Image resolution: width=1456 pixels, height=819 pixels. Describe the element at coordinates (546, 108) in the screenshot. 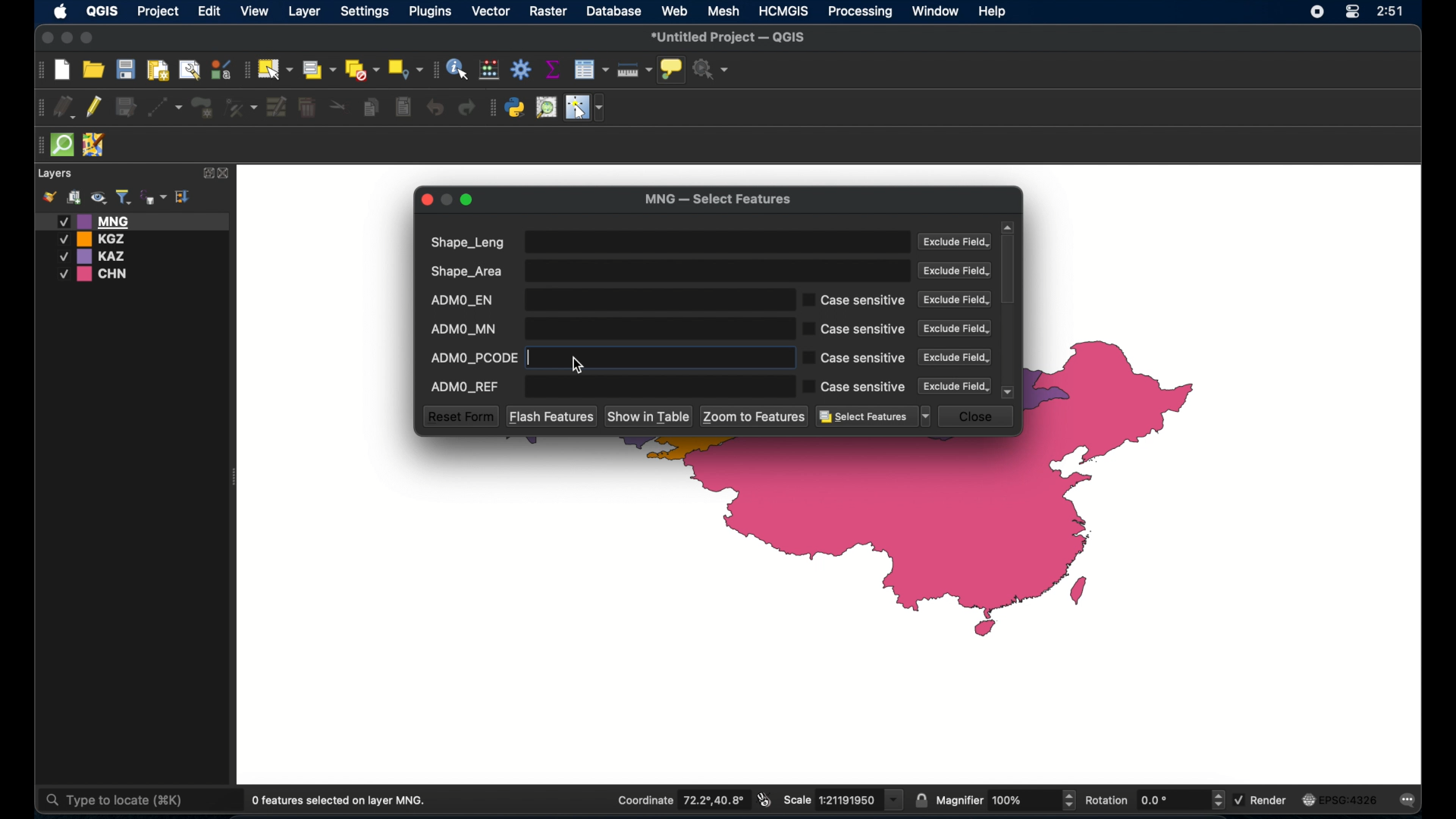

I see `osm place search` at that location.